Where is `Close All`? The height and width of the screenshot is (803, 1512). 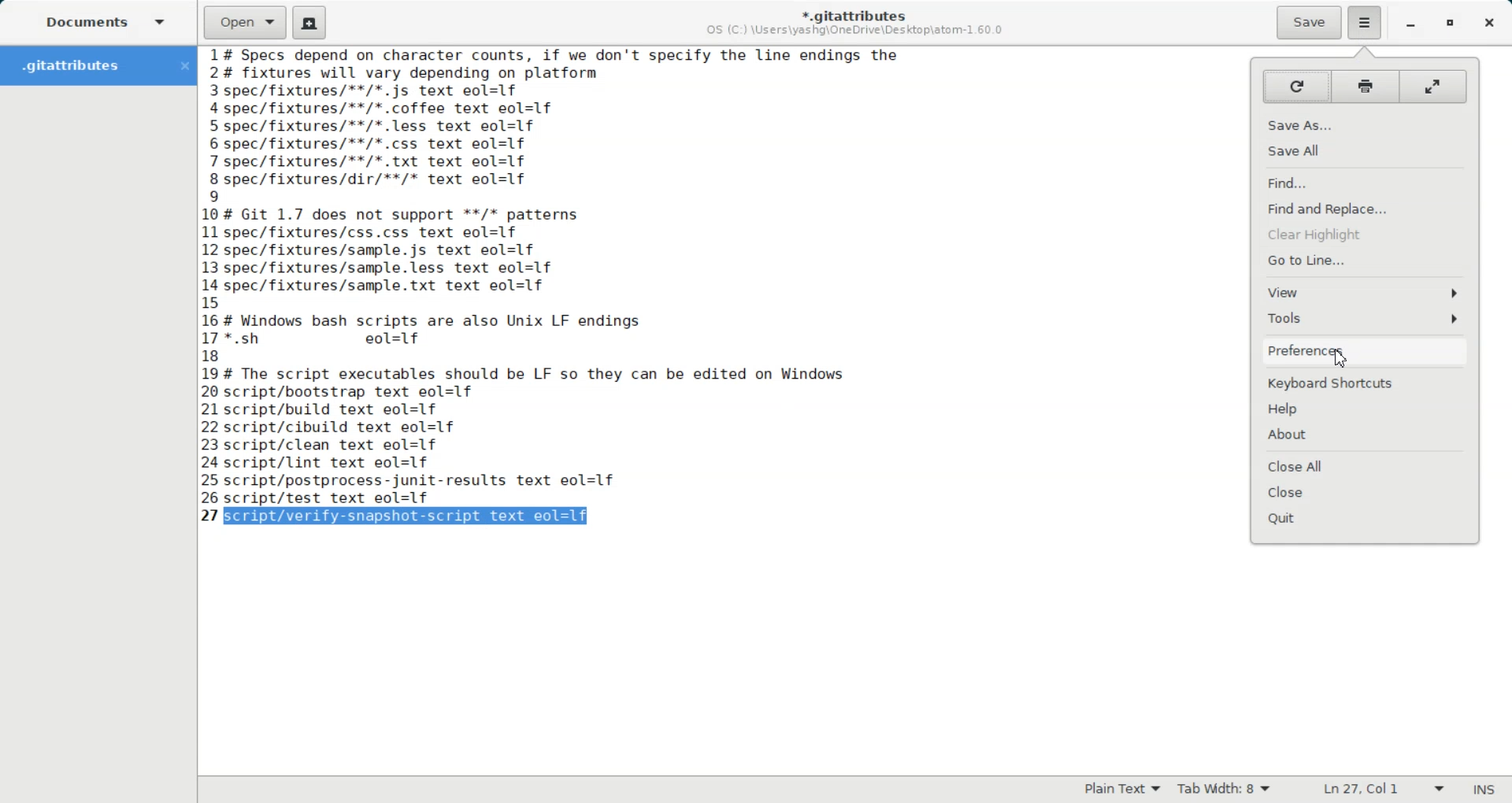 Close All is located at coordinates (1366, 466).